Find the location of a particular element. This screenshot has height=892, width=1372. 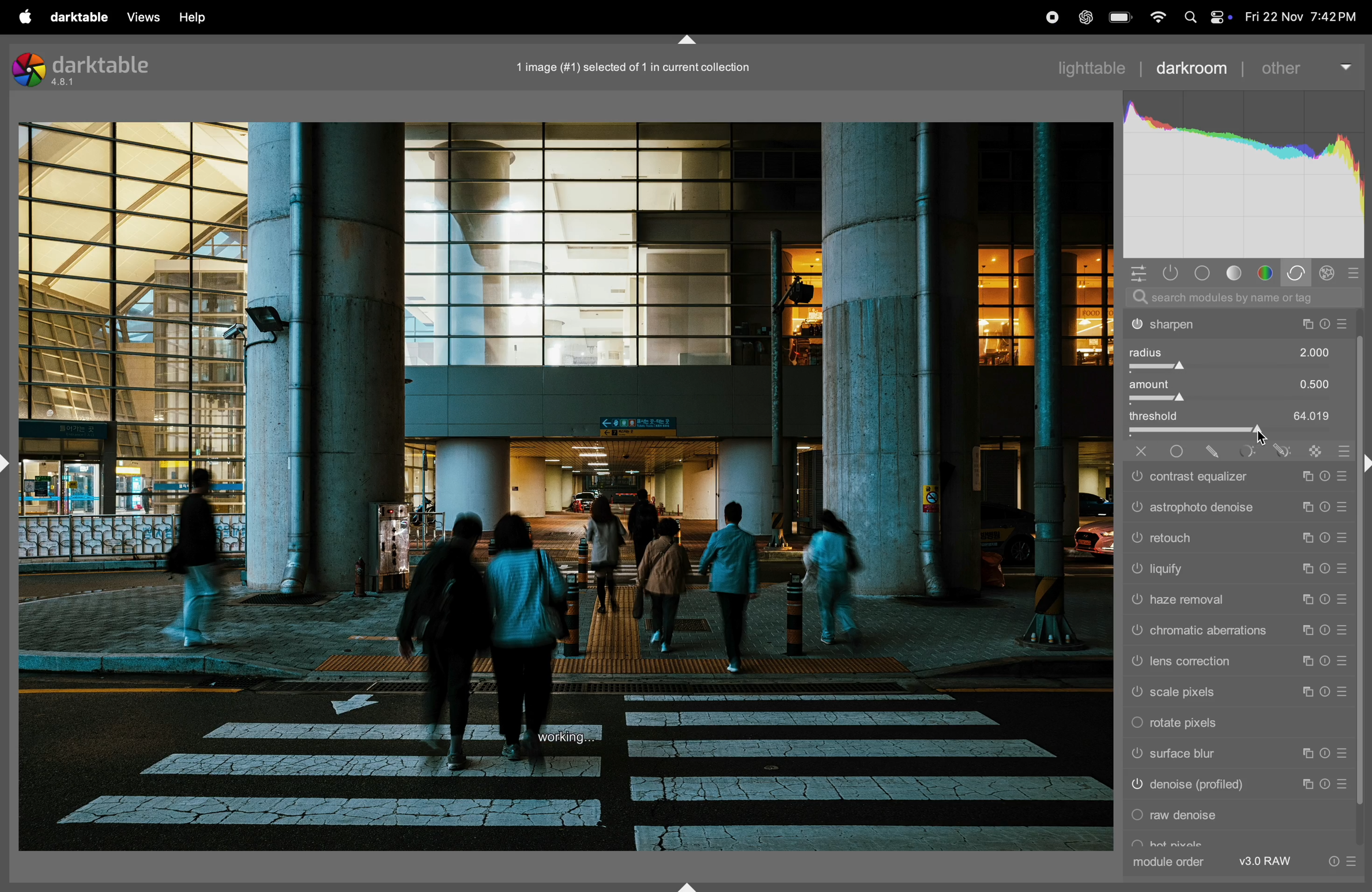

rastter mask is located at coordinates (1310, 448).